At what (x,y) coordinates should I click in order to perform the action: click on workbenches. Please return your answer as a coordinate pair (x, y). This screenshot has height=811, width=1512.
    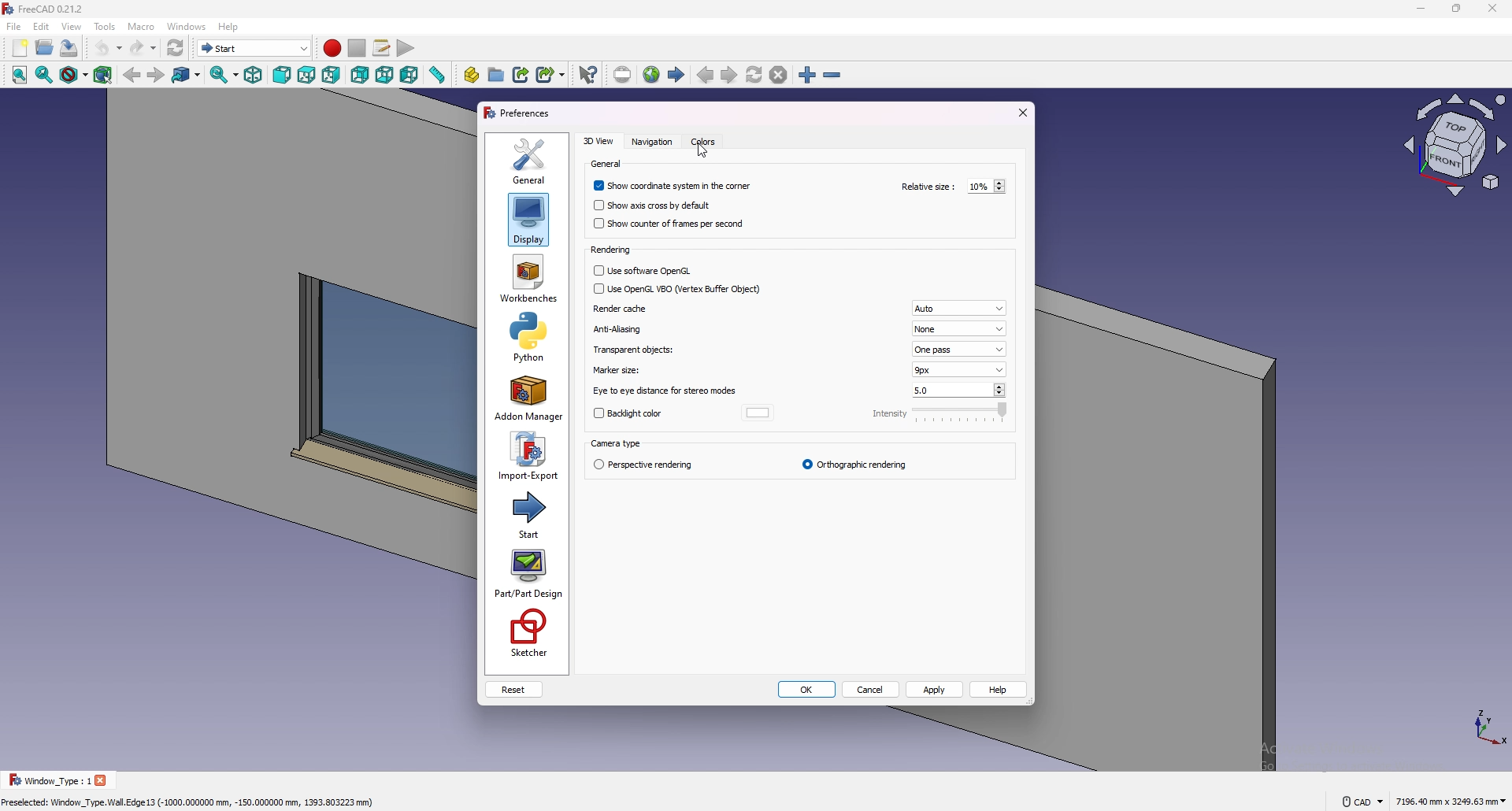
    Looking at the image, I should click on (528, 279).